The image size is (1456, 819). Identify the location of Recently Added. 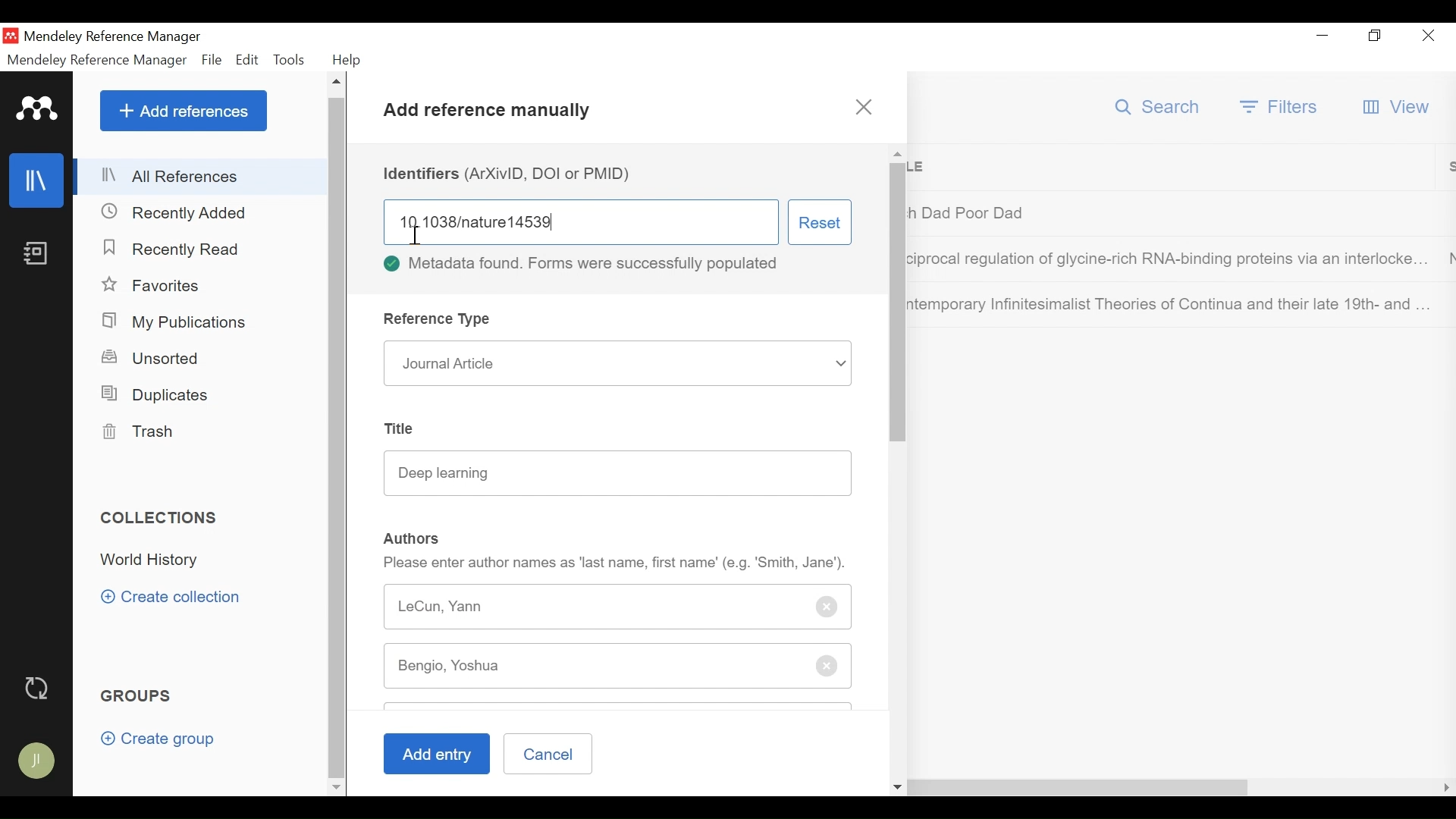
(181, 212).